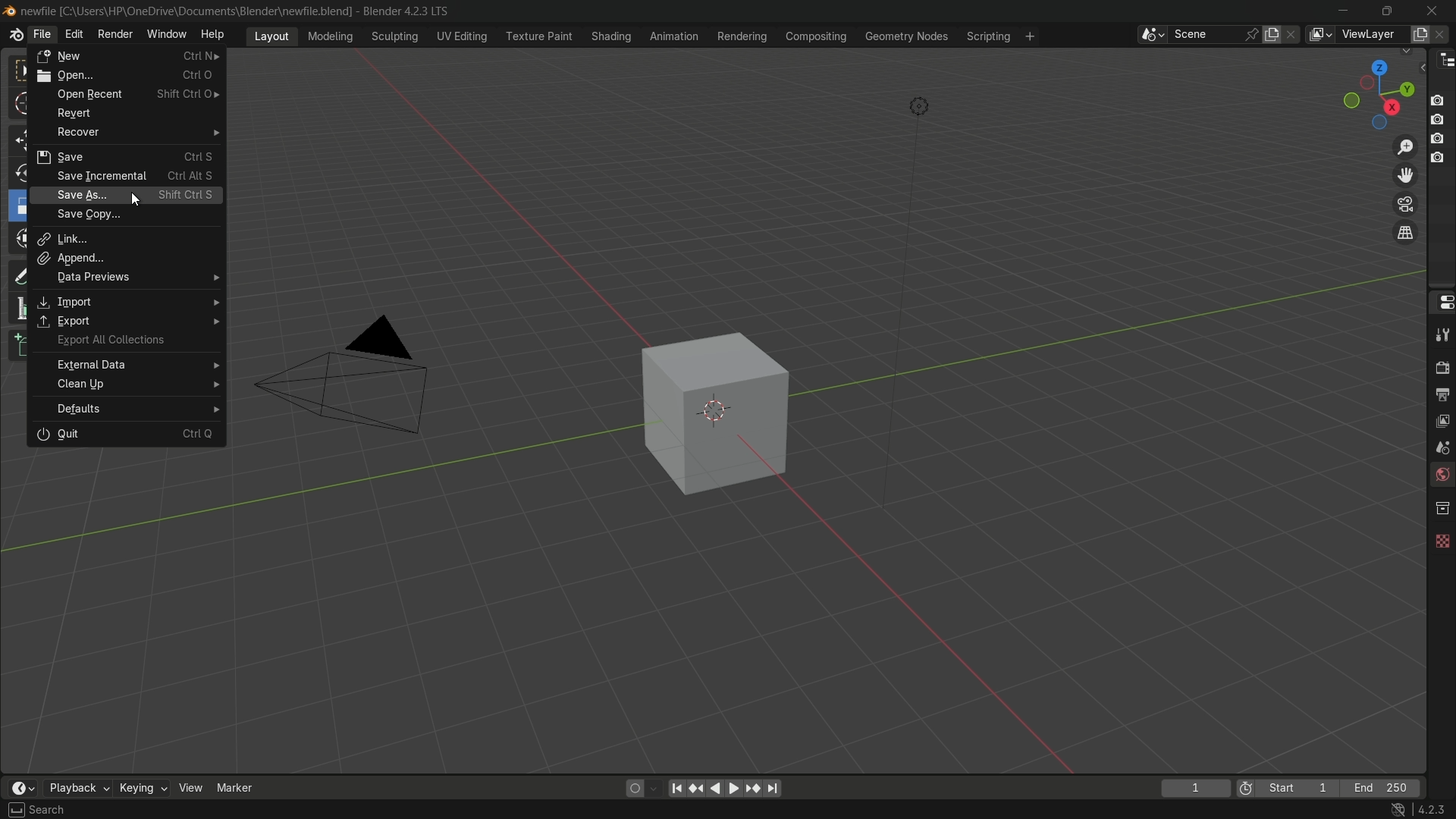  I want to click on cube, so click(705, 413).